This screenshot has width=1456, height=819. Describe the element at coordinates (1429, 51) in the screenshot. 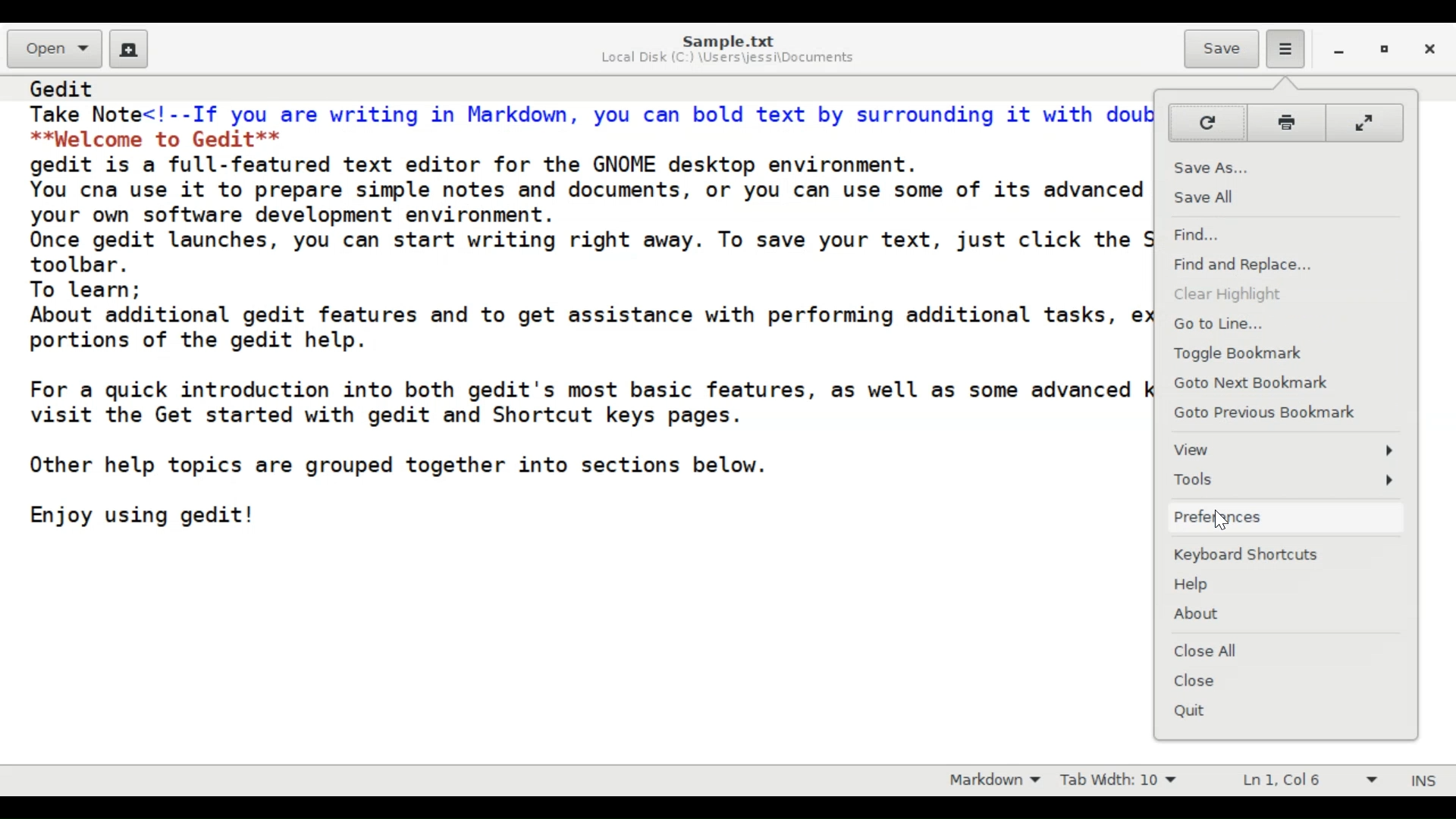

I see `close` at that location.